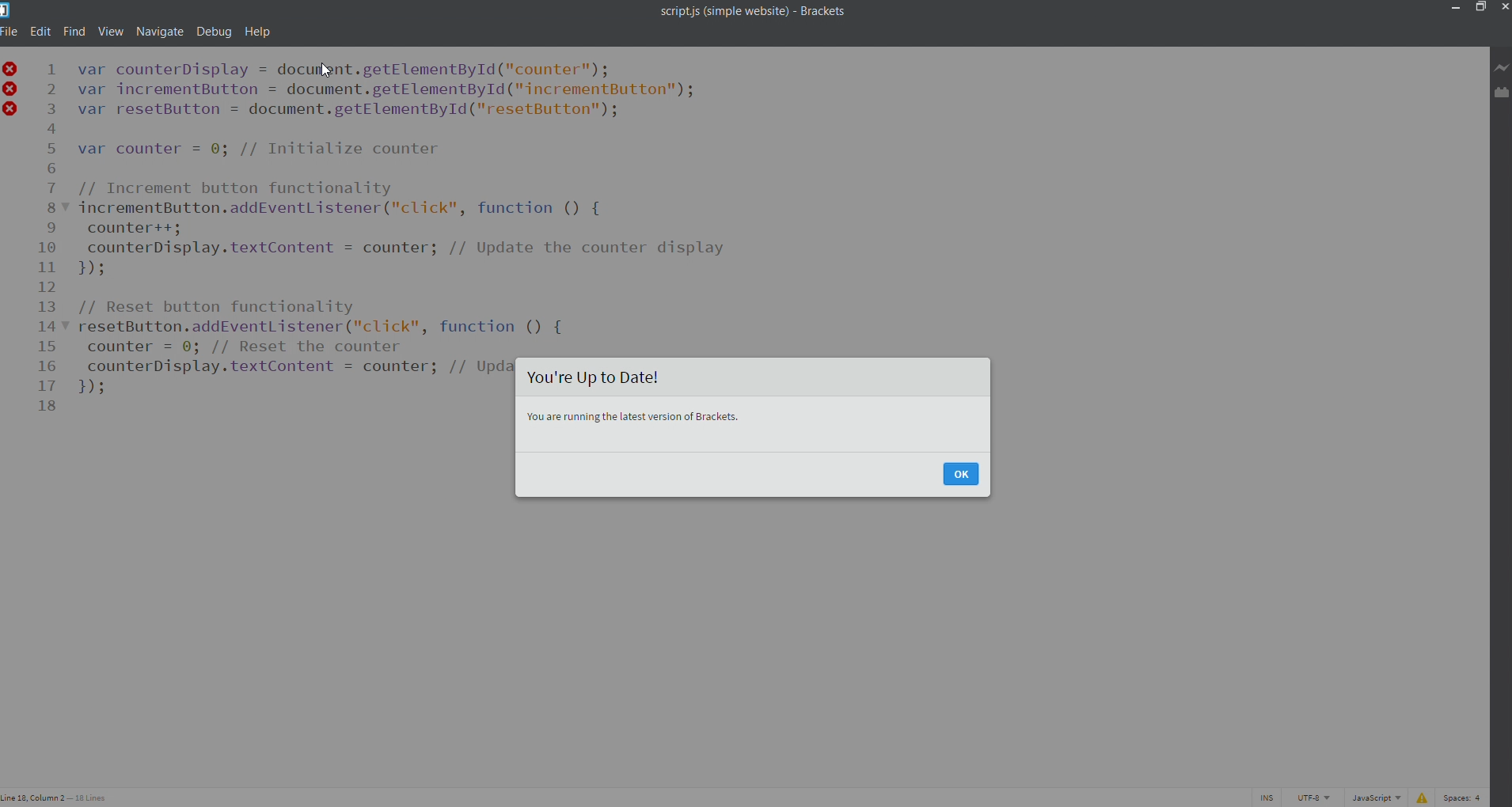 This screenshot has width=1512, height=807. Describe the element at coordinates (754, 424) in the screenshot. I see `you are running the latest version of Brackets.` at that location.